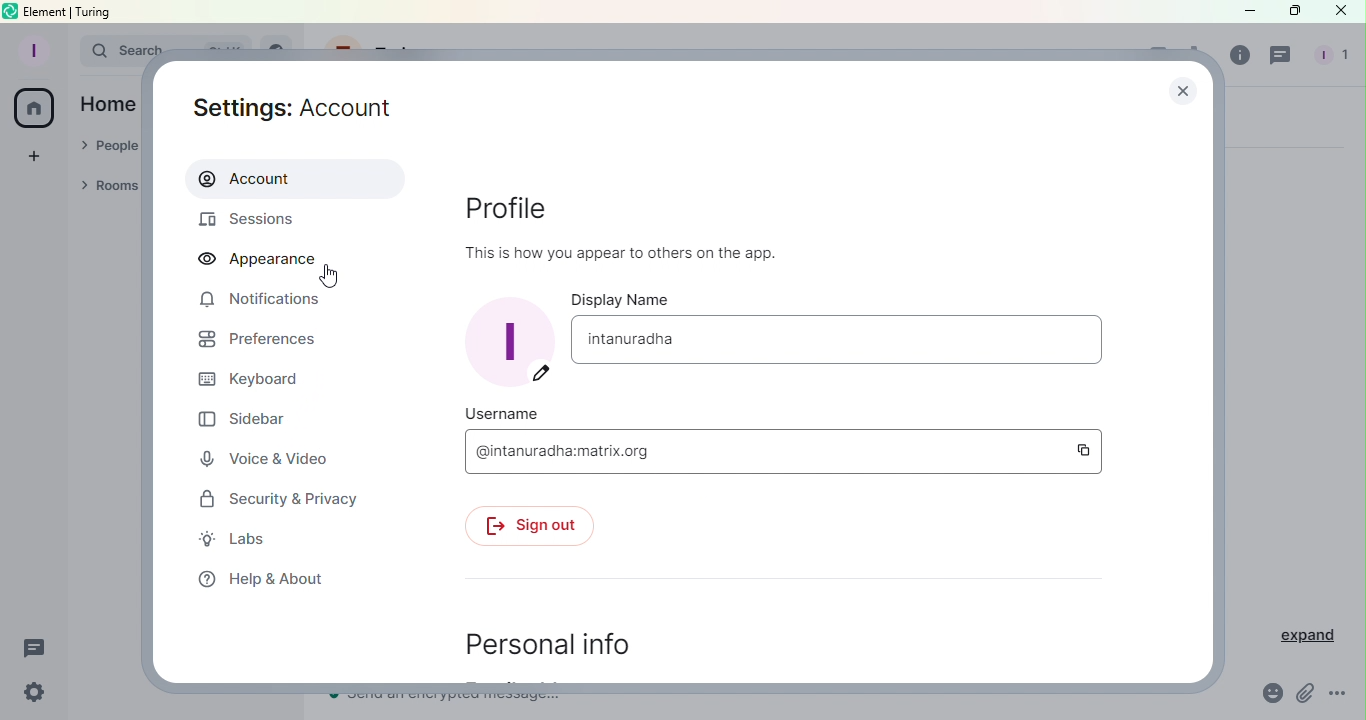 The width and height of the screenshot is (1366, 720). What do you see at coordinates (1283, 56) in the screenshot?
I see `Threads` at bounding box center [1283, 56].